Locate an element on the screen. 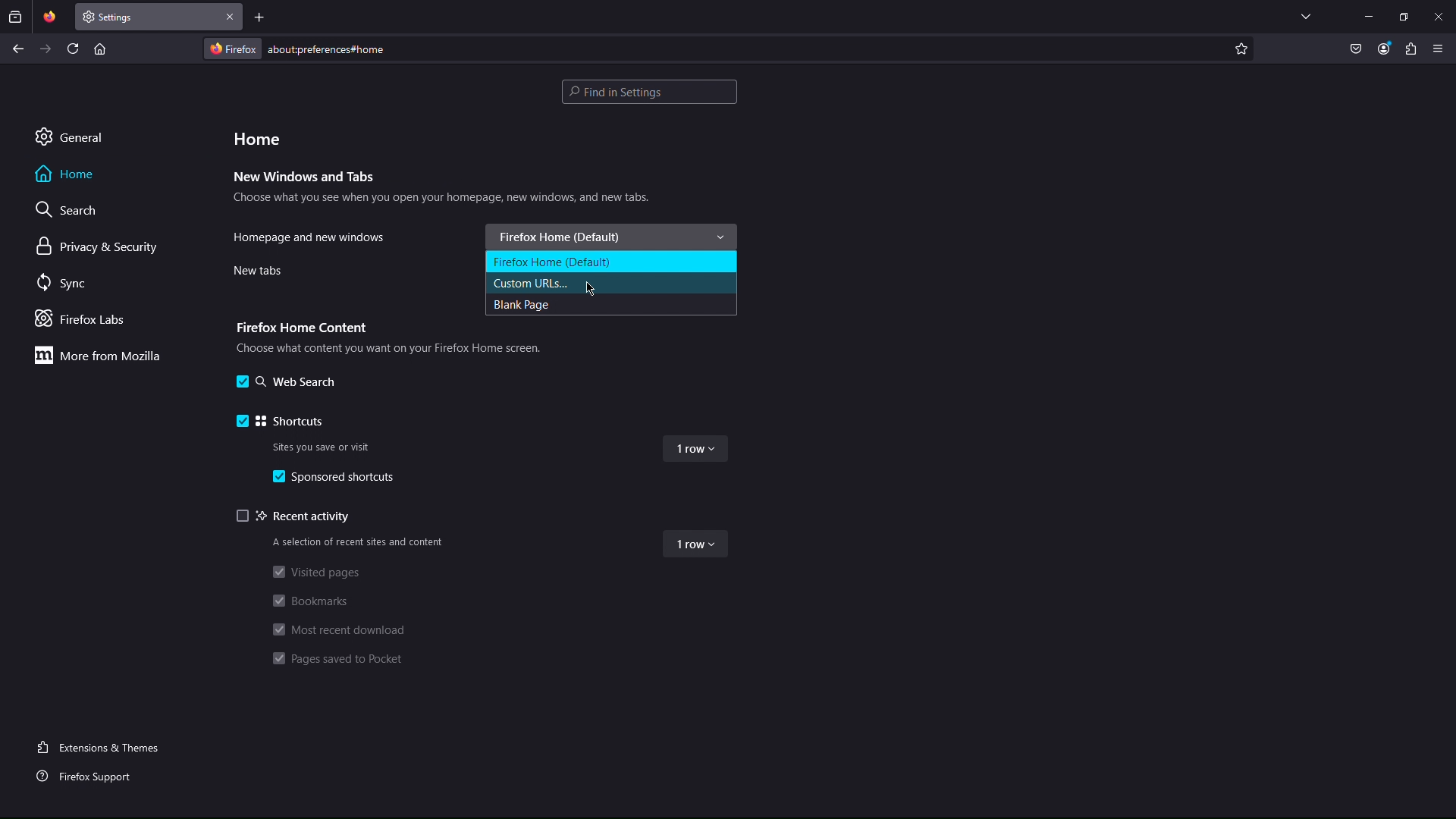 The height and width of the screenshot is (819, 1456). General is located at coordinates (69, 136).